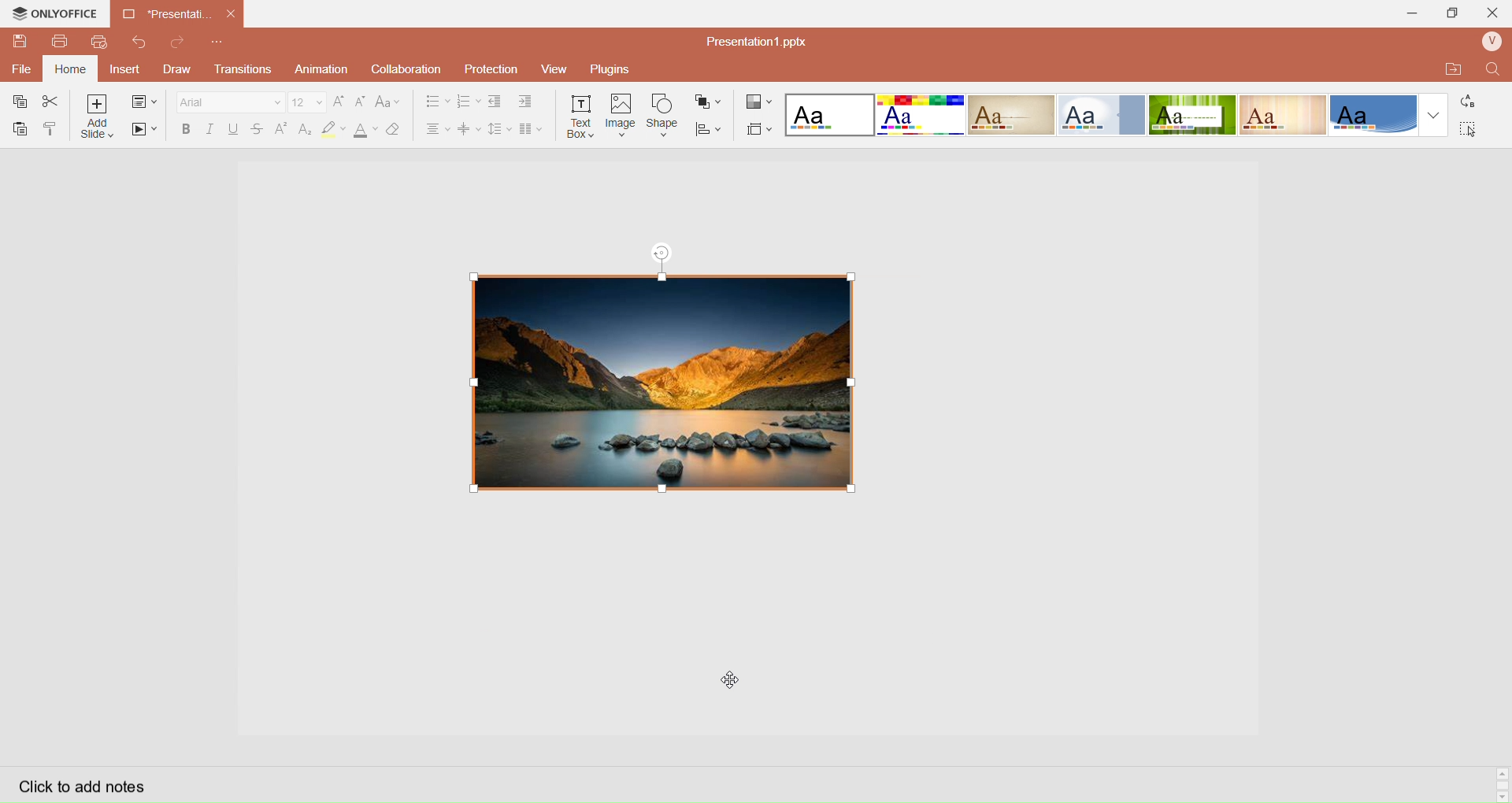 The width and height of the screenshot is (1512, 803). I want to click on Insert Image, so click(621, 117).